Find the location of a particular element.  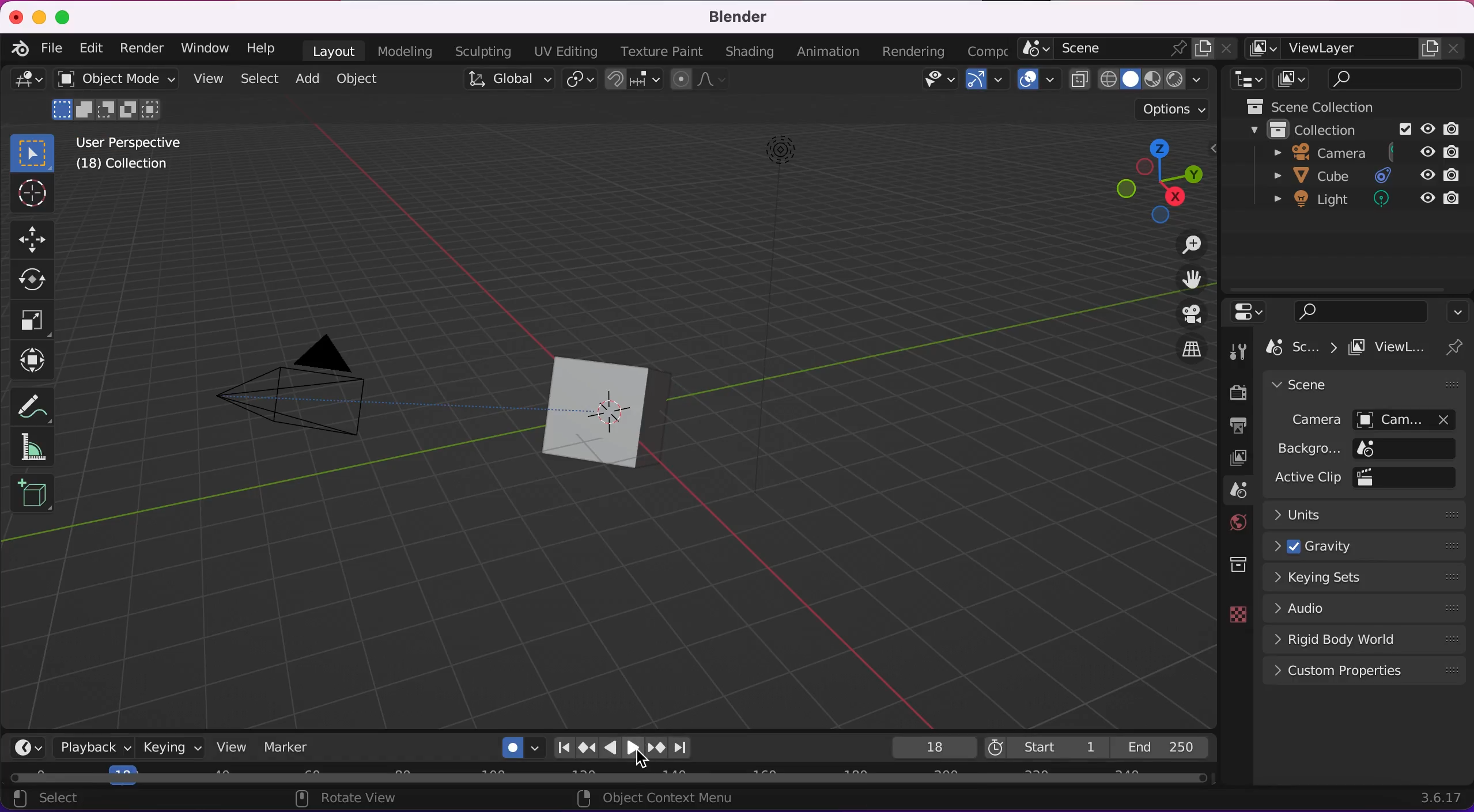

scene is located at coordinates (1125, 49).